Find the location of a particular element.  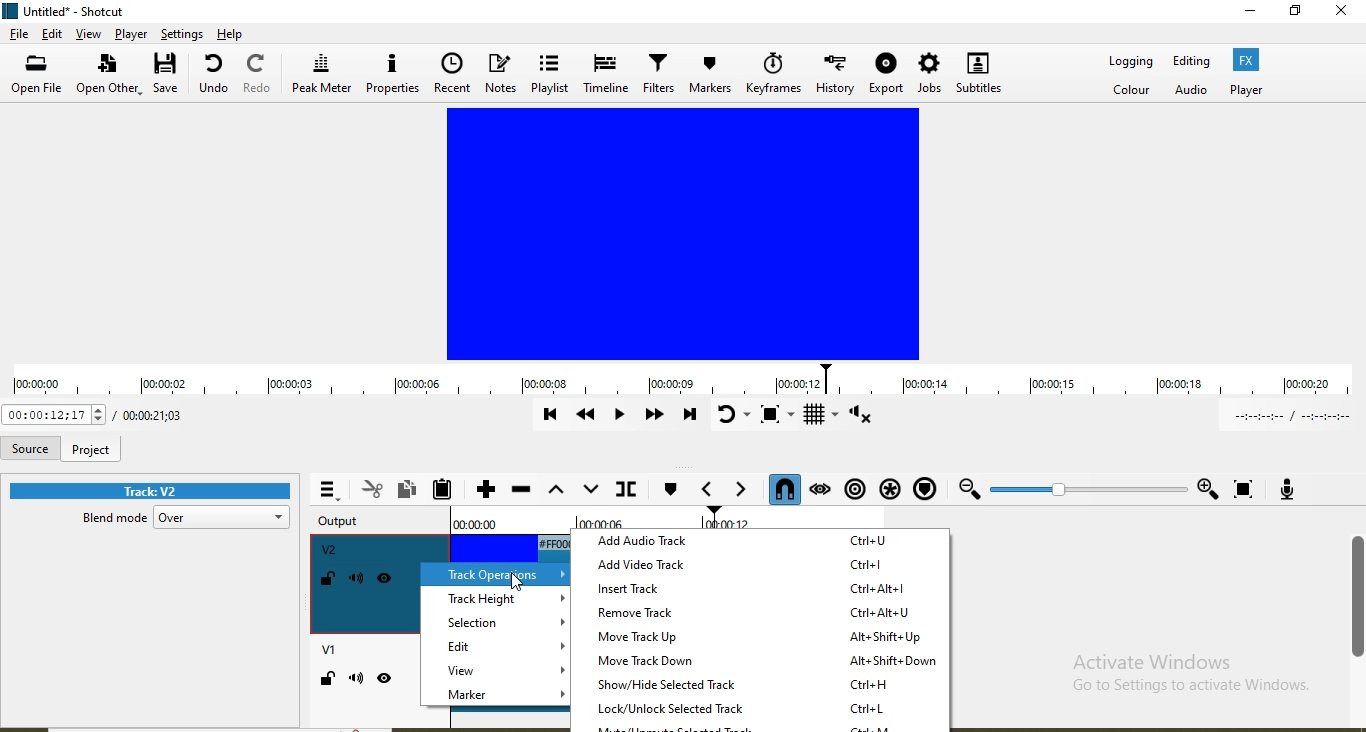

Editing is located at coordinates (1194, 62).